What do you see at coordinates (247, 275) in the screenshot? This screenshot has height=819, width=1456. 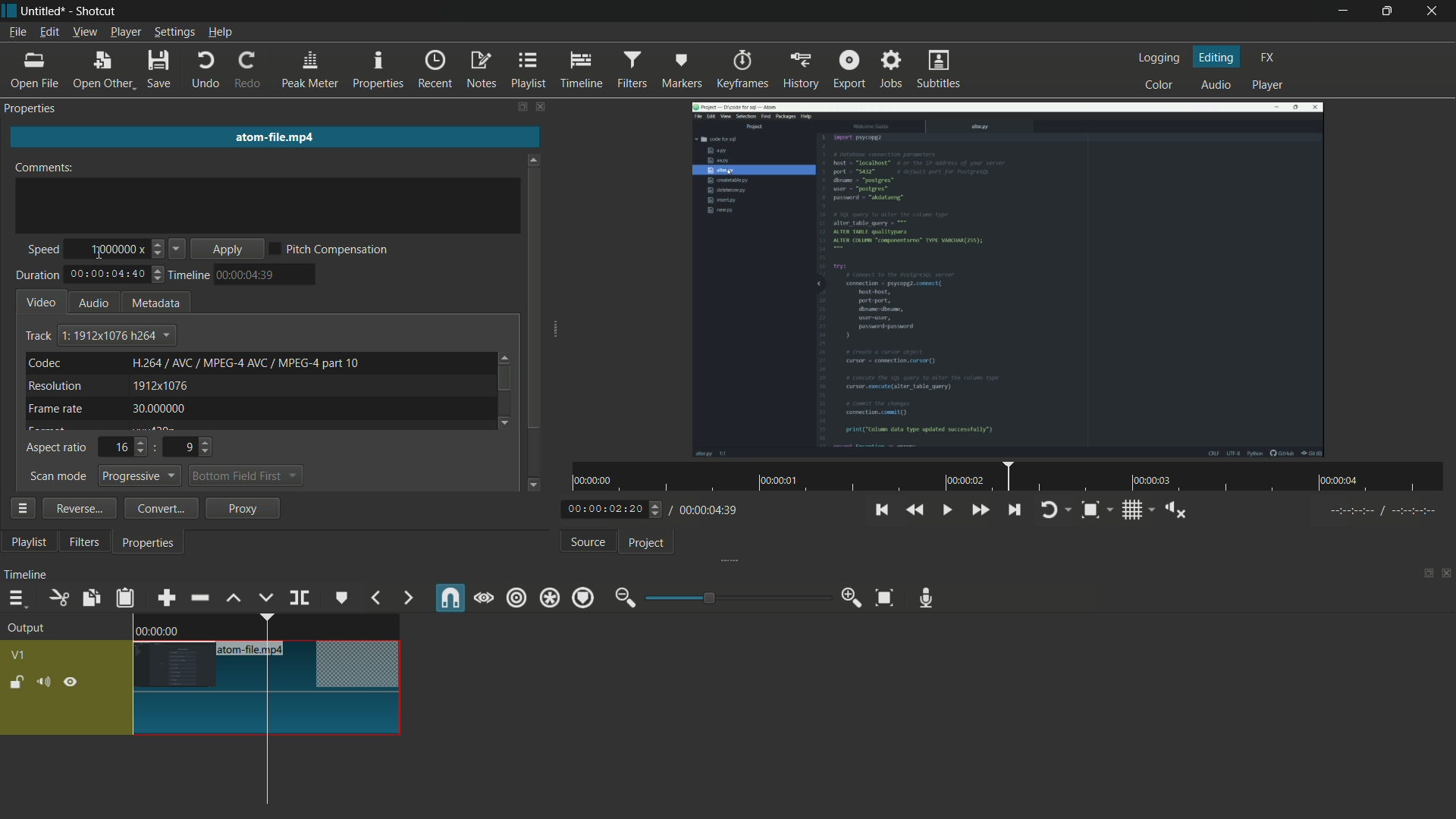 I see `time` at bounding box center [247, 275].